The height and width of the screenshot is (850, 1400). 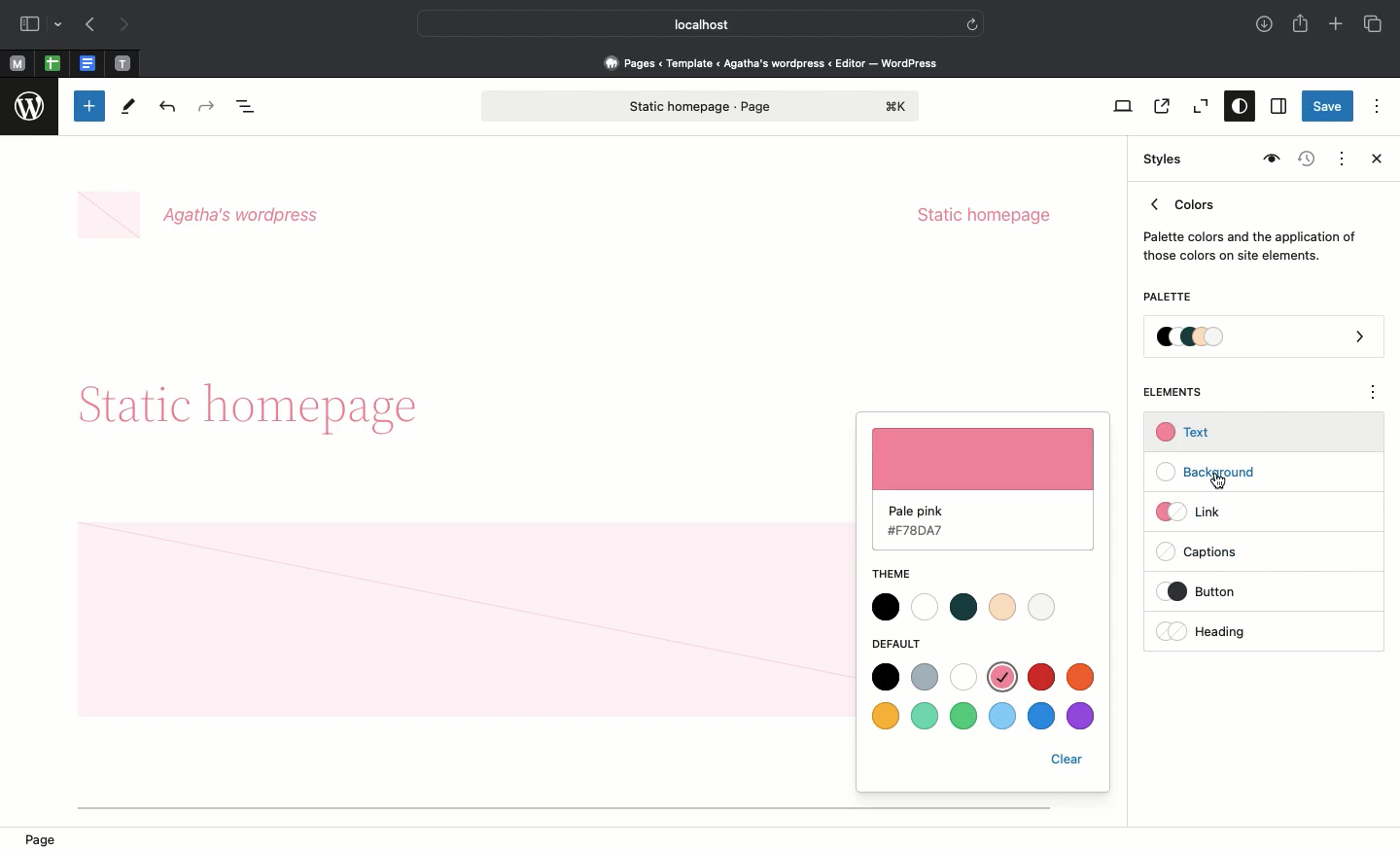 What do you see at coordinates (1377, 105) in the screenshot?
I see `Options` at bounding box center [1377, 105].